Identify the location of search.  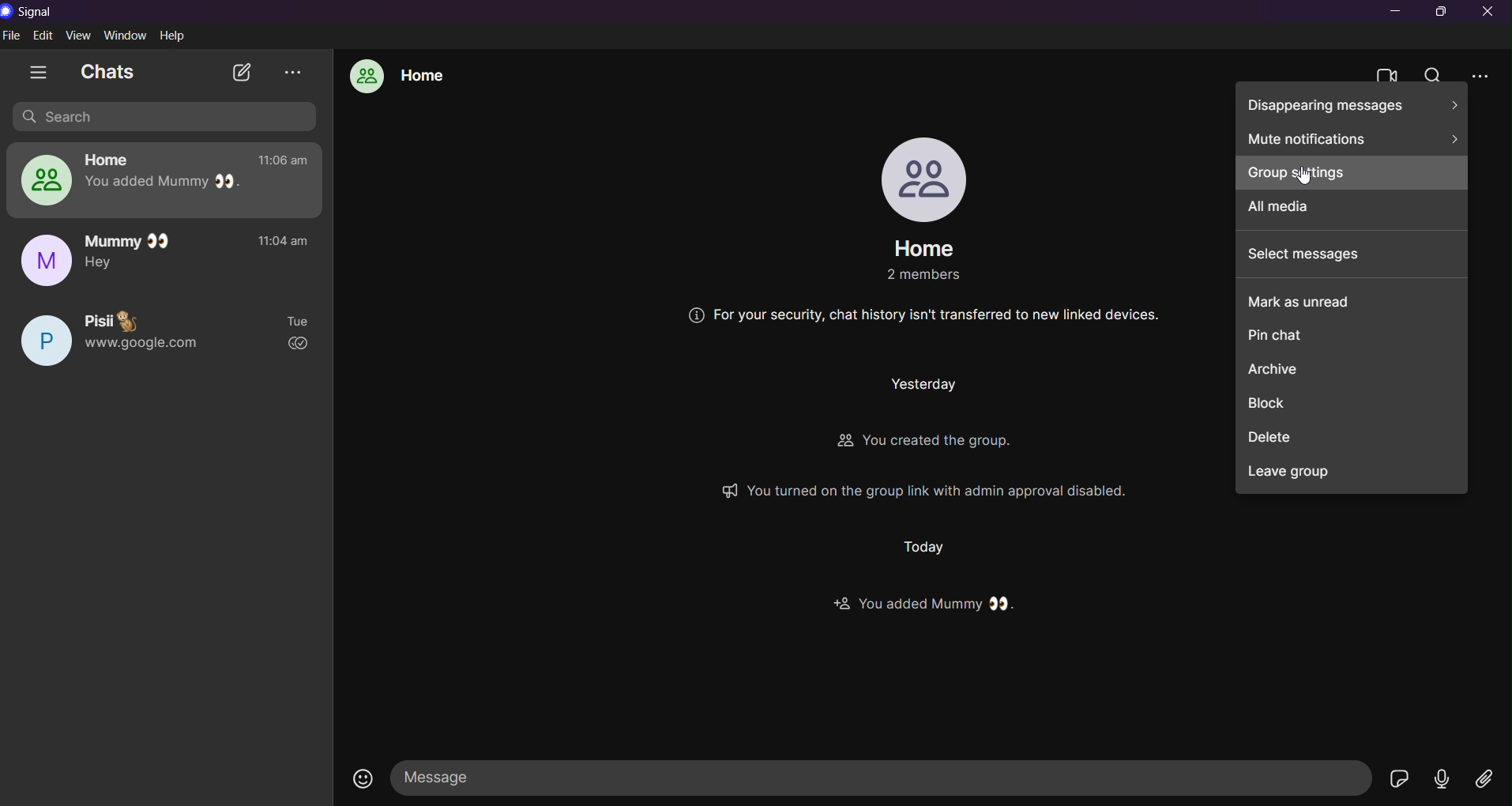
(167, 117).